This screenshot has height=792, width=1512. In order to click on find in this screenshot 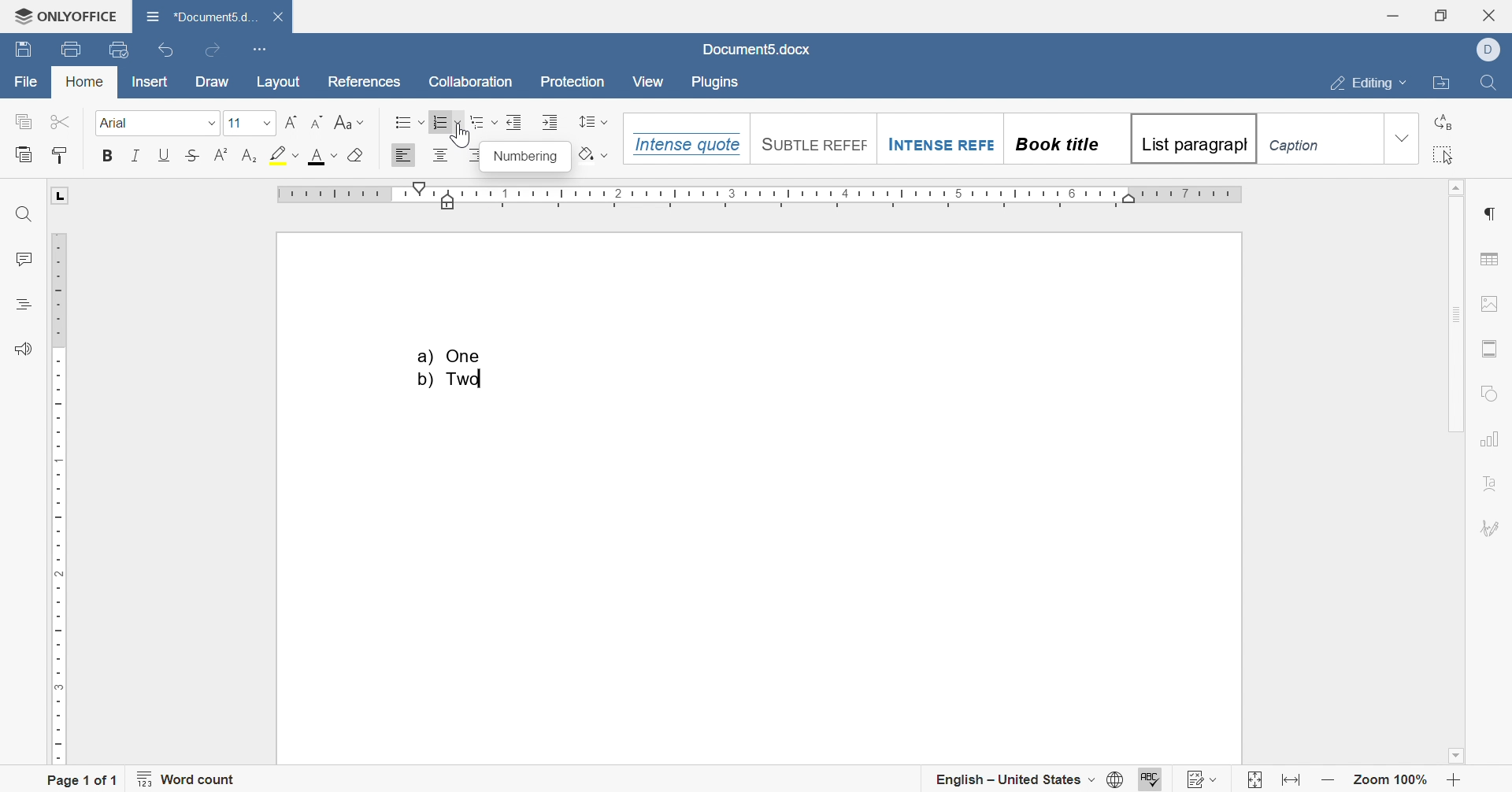, I will do `click(1488, 83)`.